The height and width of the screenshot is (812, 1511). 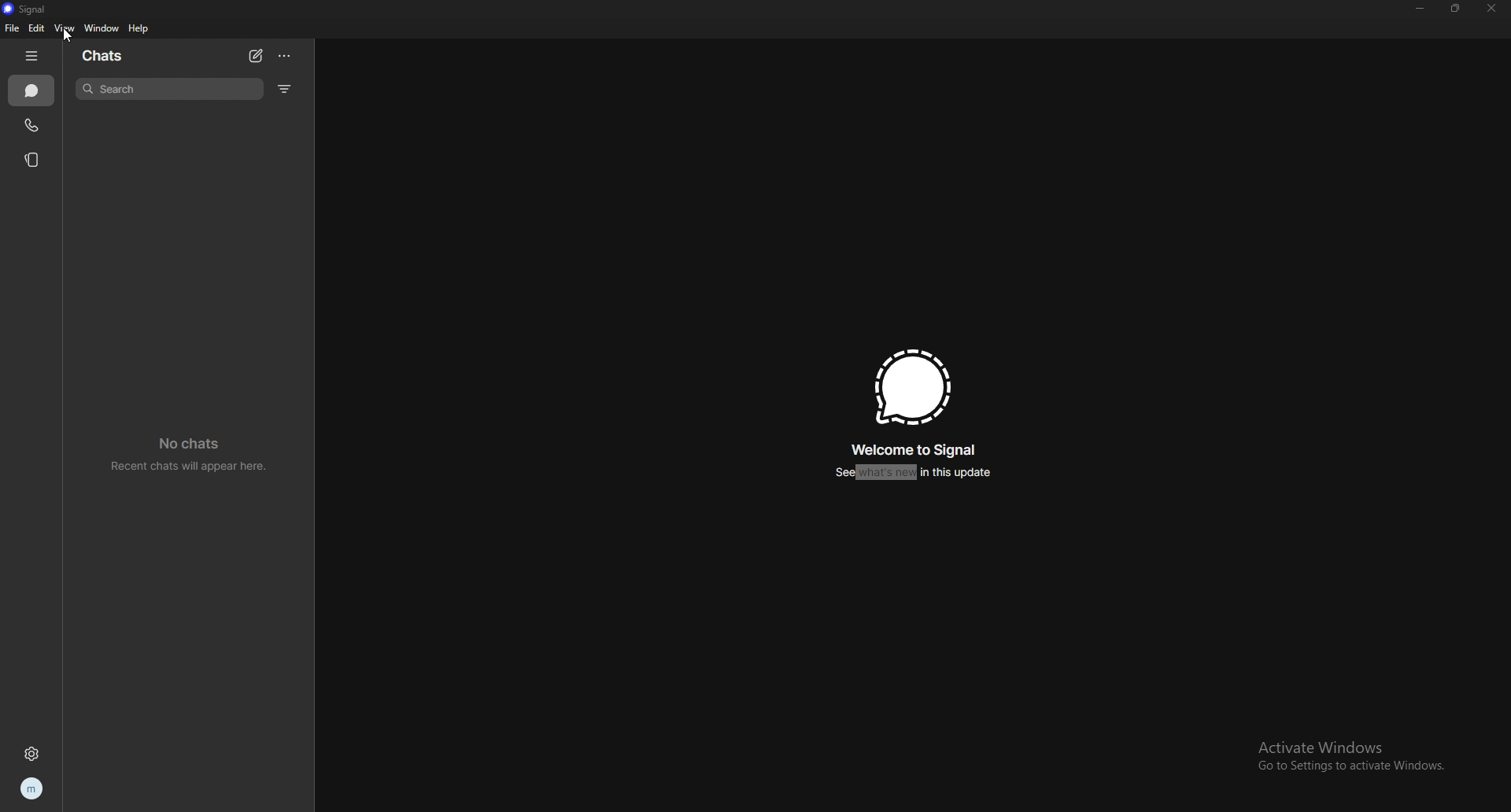 What do you see at coordinates (256, 55) in the screenshot?
I see `newchat` at bounding box center [256, 55].